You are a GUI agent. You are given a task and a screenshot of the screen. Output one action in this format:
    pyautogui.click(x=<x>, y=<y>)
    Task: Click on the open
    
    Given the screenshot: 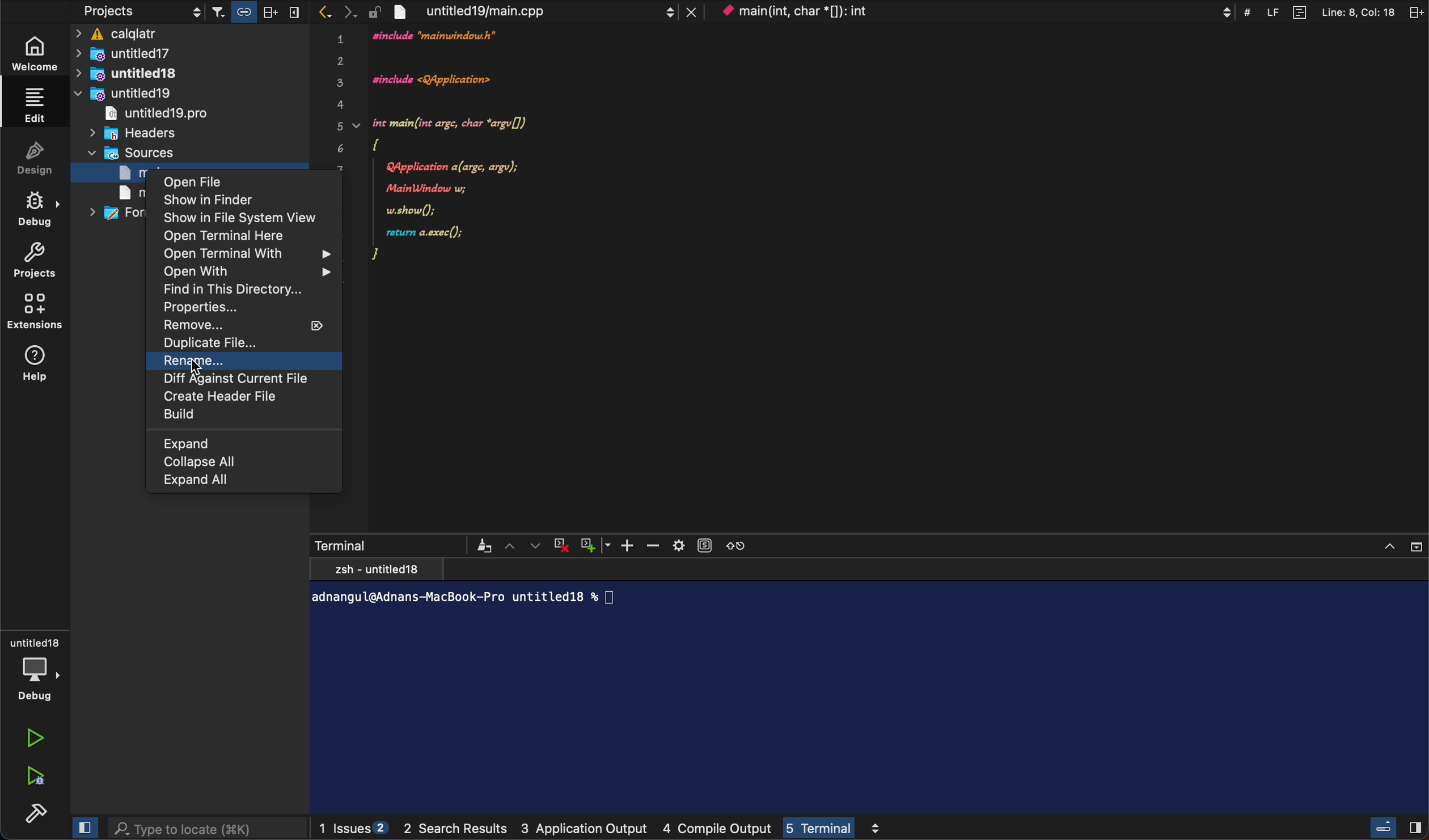 What is the action you would take?
    pyautogui.click(x=244, y=254)
    